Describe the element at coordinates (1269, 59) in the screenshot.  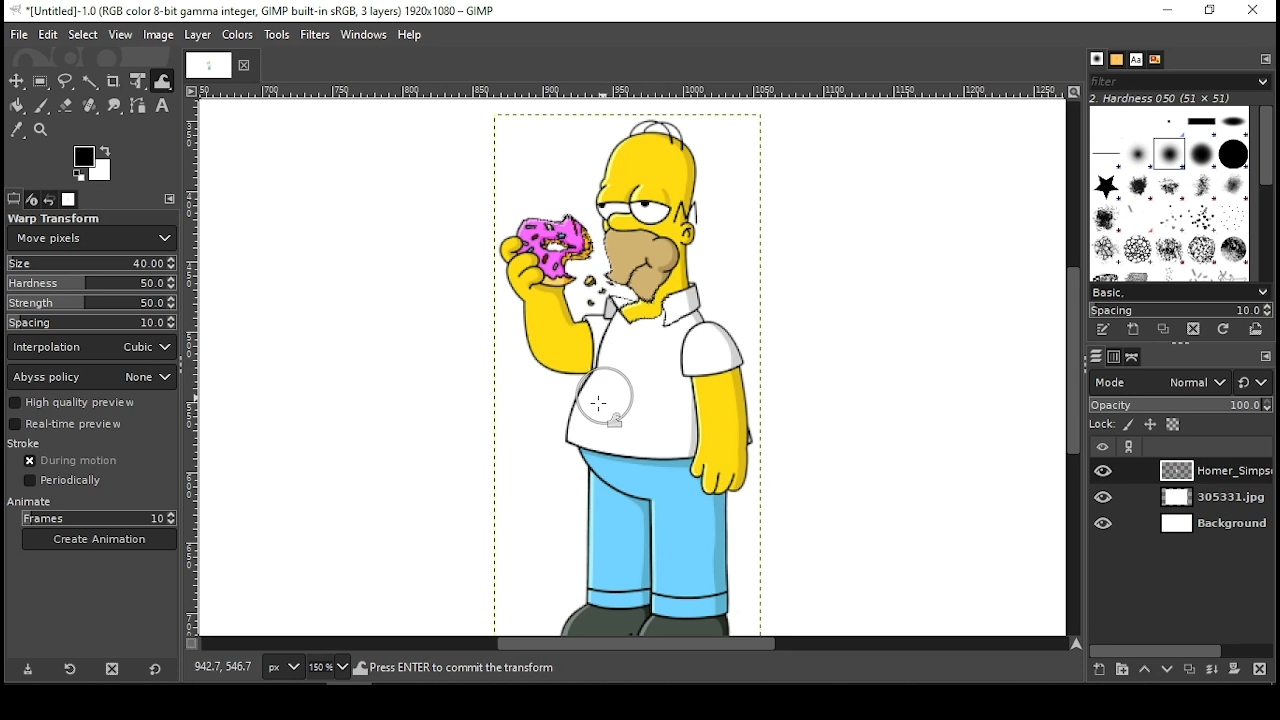
I see `edit toolbar` at that location.